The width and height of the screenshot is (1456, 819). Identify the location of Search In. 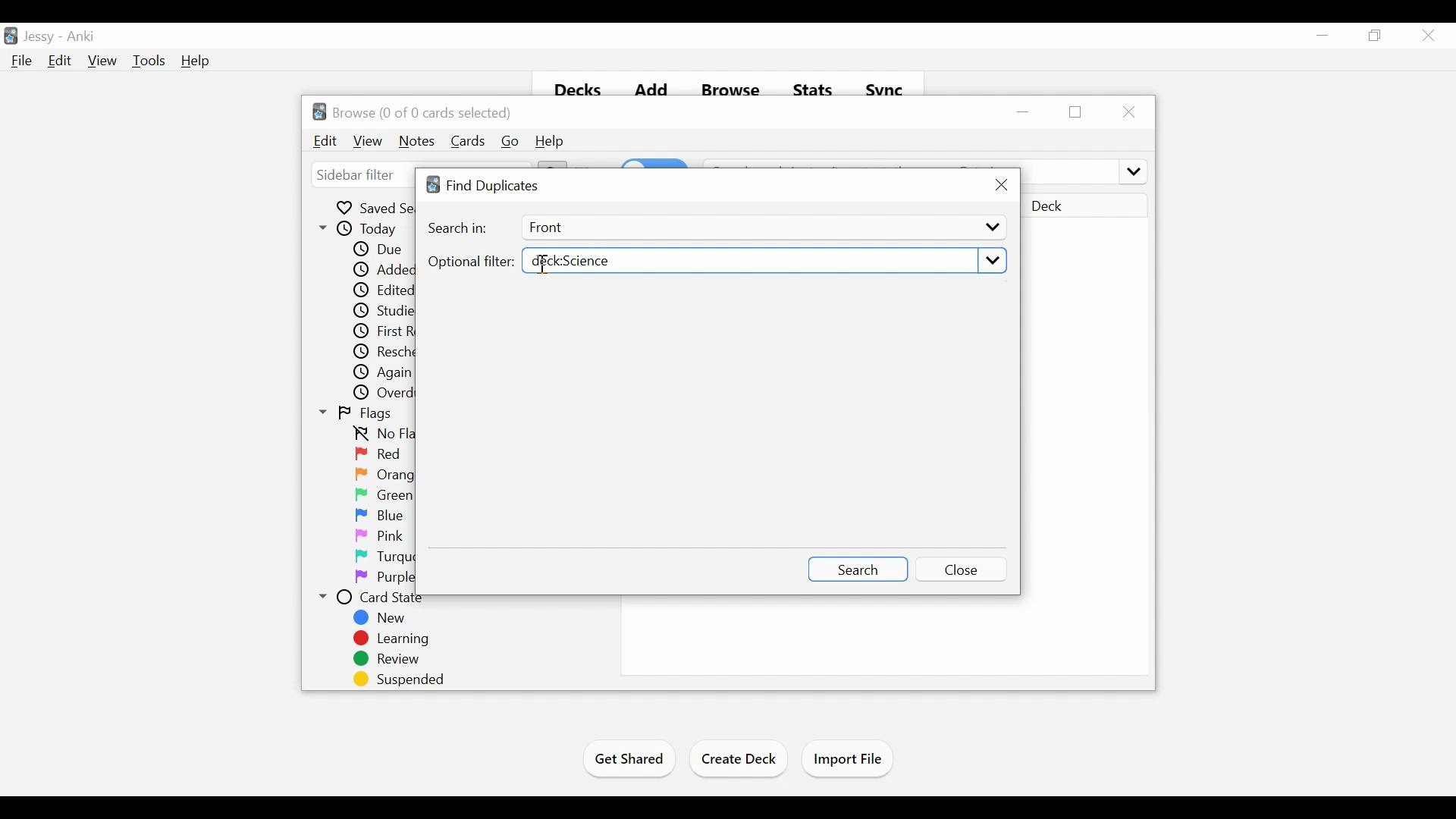
(459, 229).